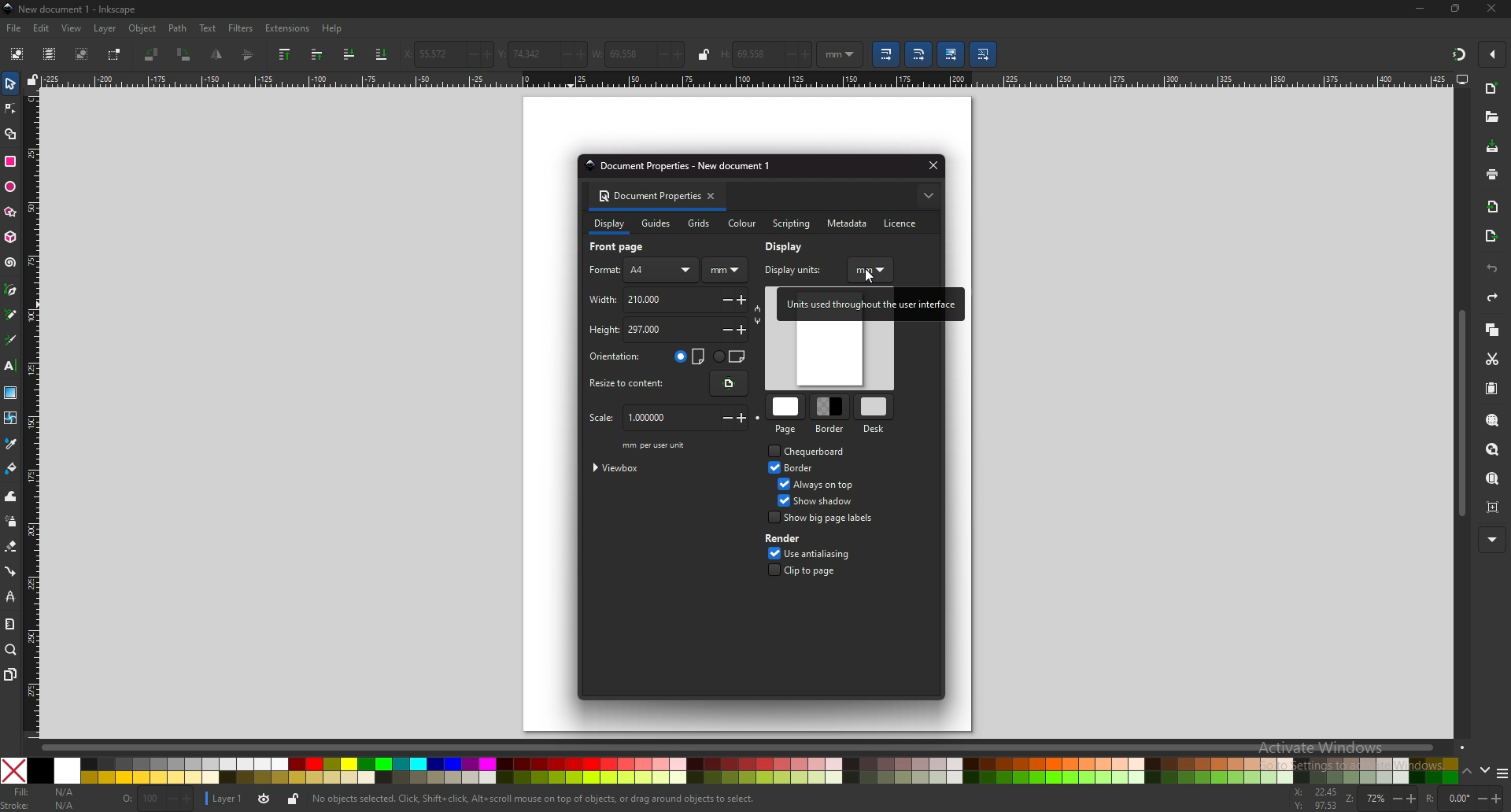 Image resolution: width=1511 pixels, height=812 pixels. Describe the element at coordinates (873, 415) in the screenshot. I see `desk` at that location.